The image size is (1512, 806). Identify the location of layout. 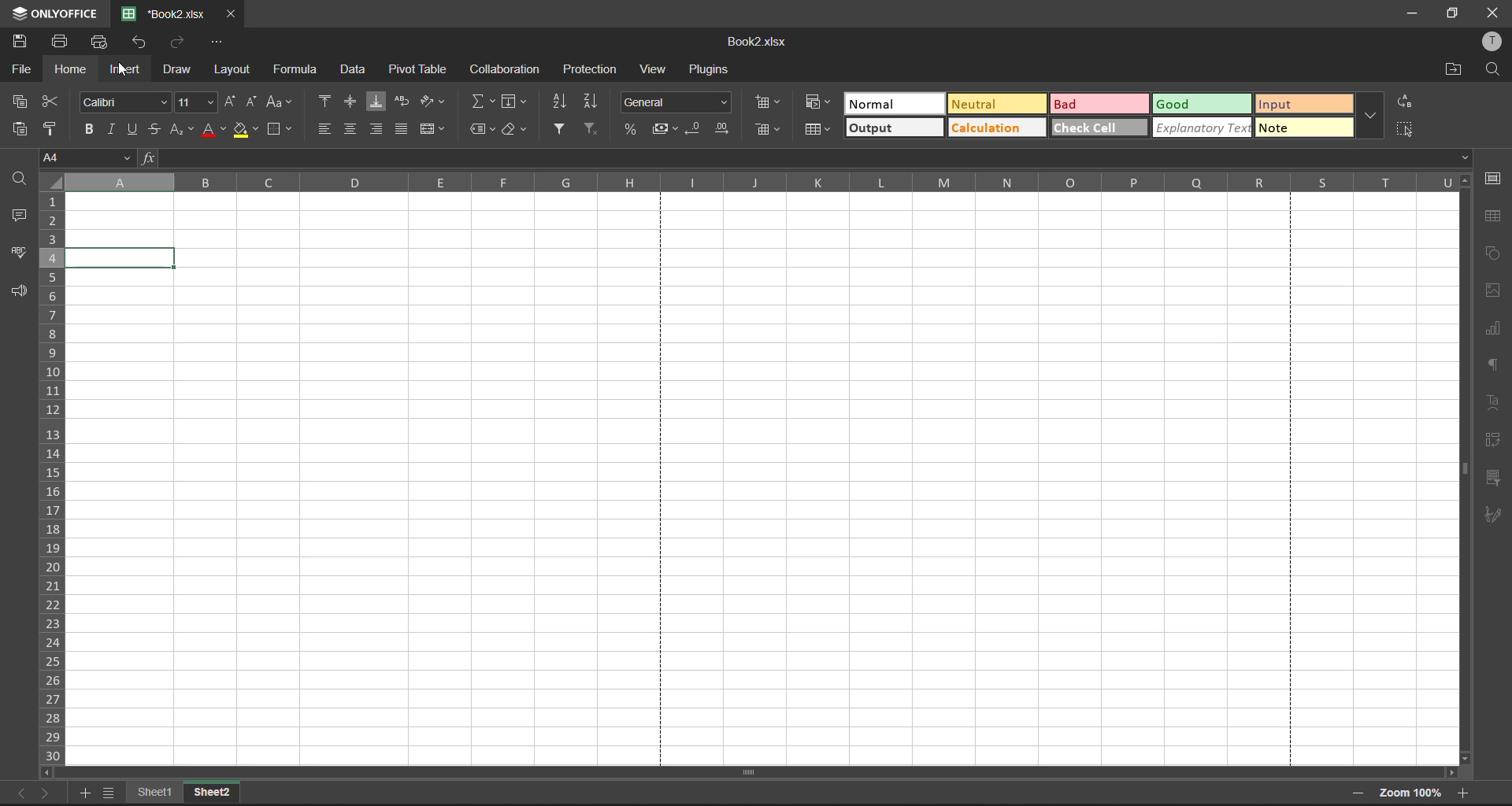
(234, 72).